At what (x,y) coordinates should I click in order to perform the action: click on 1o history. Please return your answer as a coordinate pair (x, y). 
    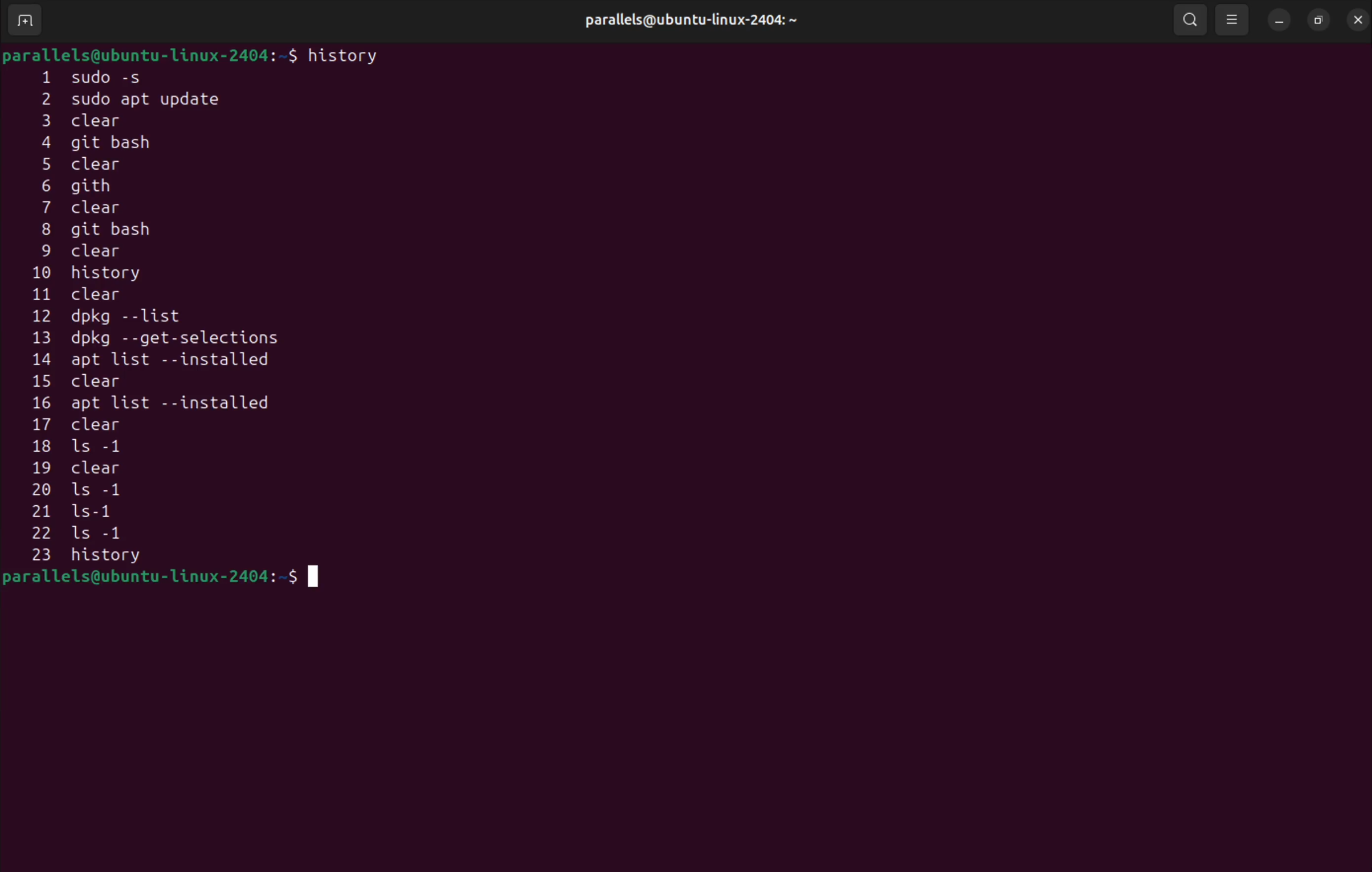
    Looking at the image, I should click on (108, 275).